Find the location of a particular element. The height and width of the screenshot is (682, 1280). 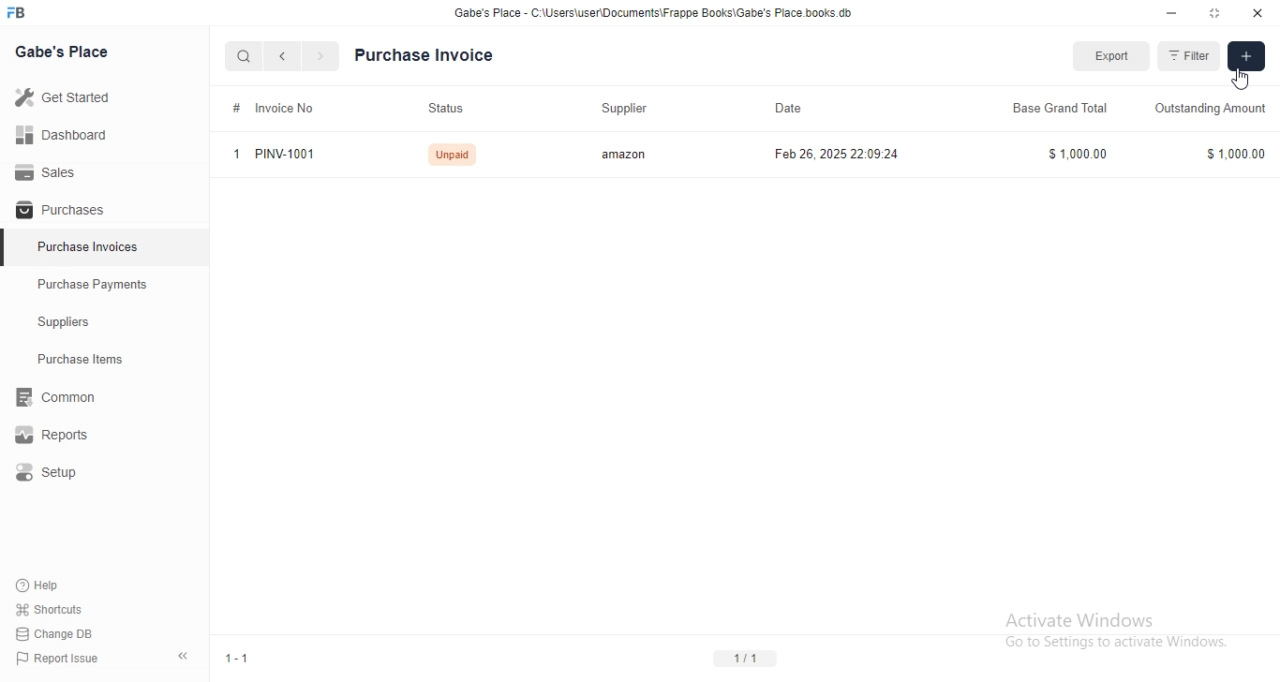

Feb 26, 2025 22:09:24 is located at coordinates (837, 154).